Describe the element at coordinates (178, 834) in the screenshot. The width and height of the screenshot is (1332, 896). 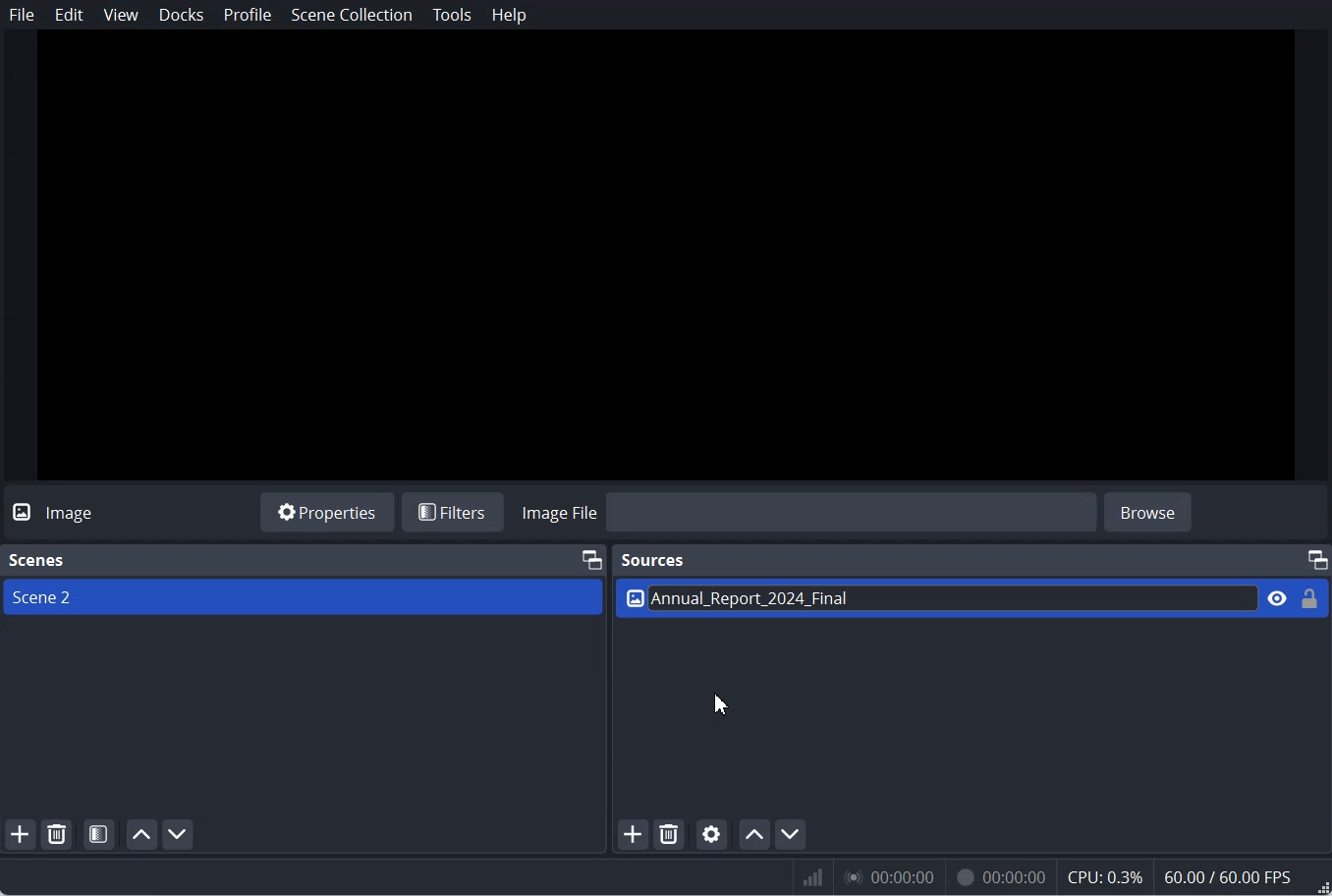
I see `Move scene down` at that location.